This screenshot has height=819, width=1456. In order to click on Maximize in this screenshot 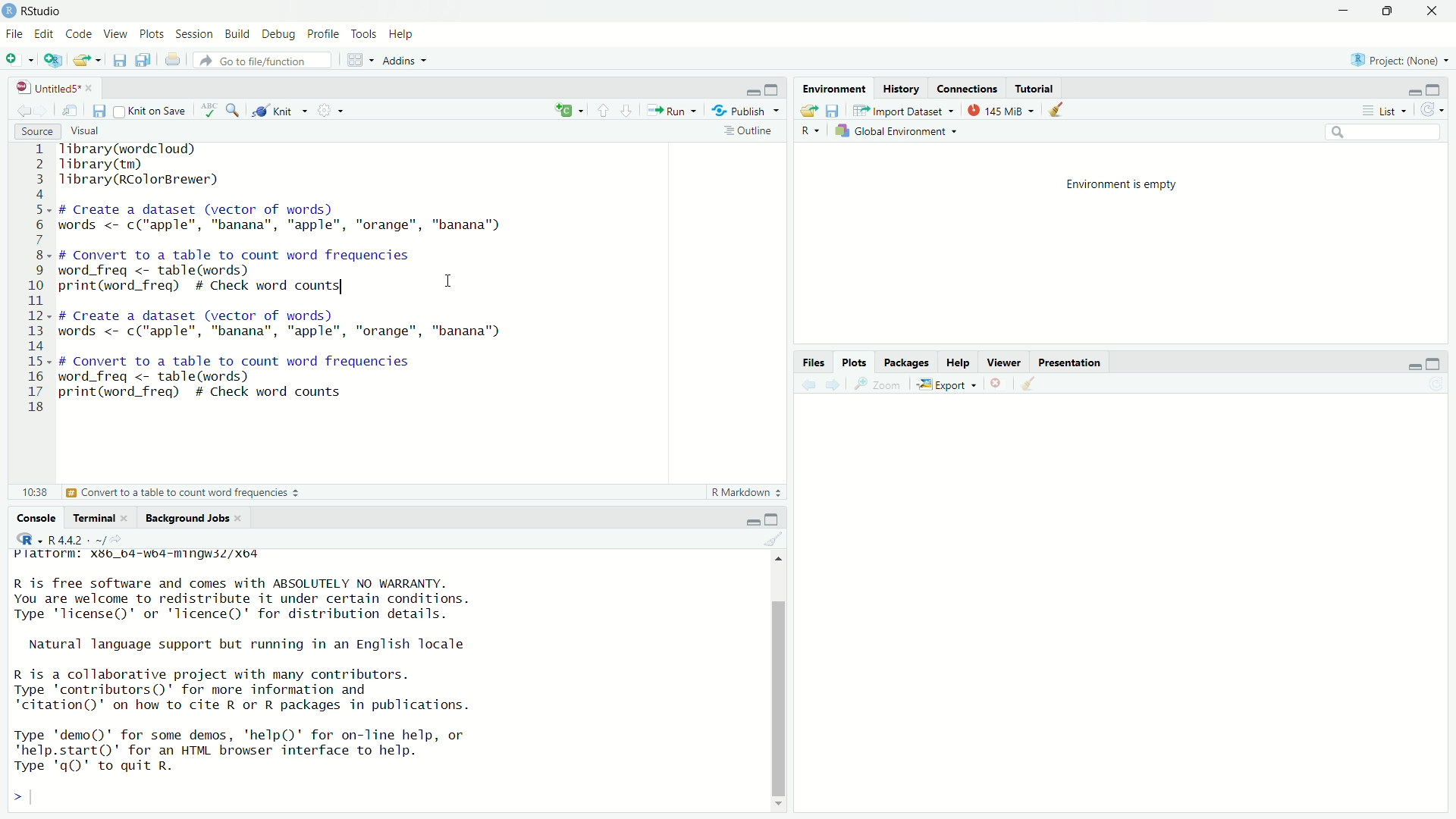, I will do `click(1432, 364)`.